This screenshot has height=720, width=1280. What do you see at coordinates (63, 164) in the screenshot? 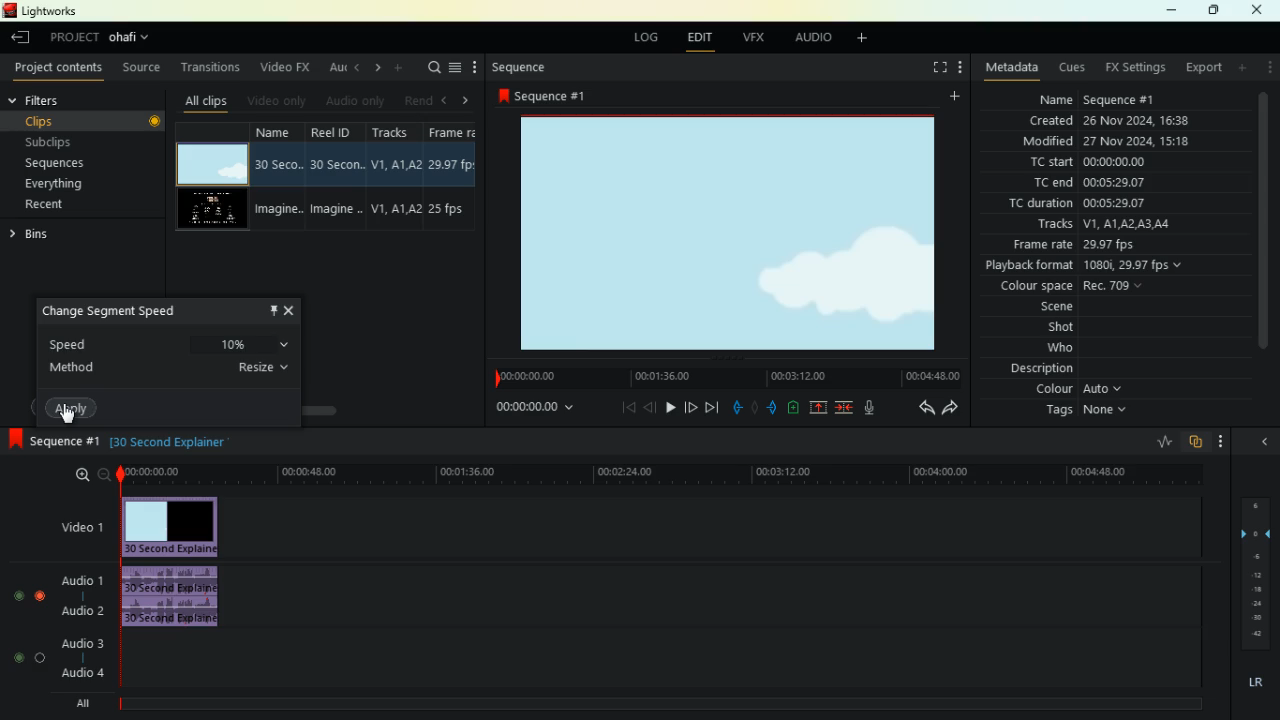
I see `sequences` at bounding box center [63, 164].